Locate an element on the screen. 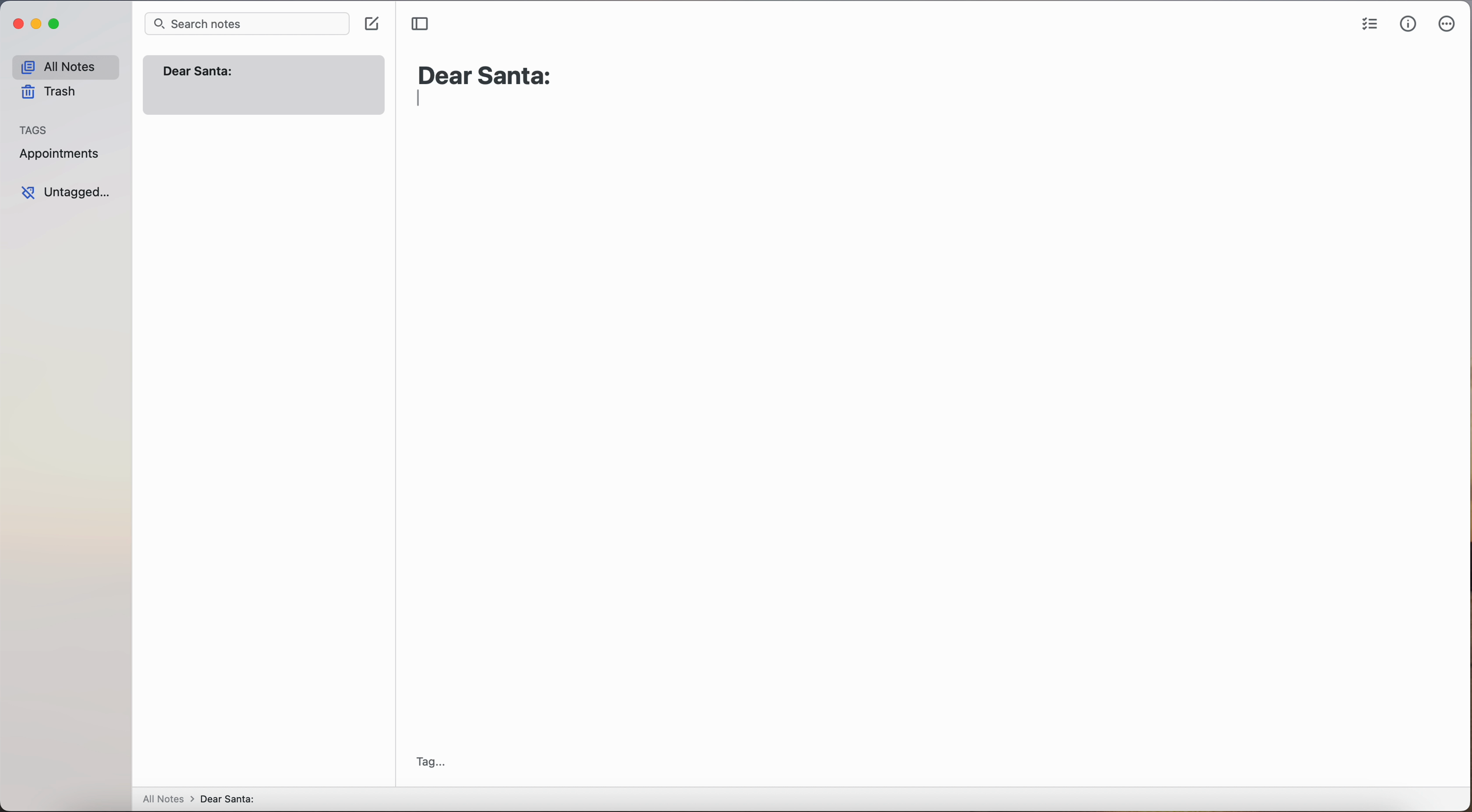  metrics is located at coordinates (1409, 24).